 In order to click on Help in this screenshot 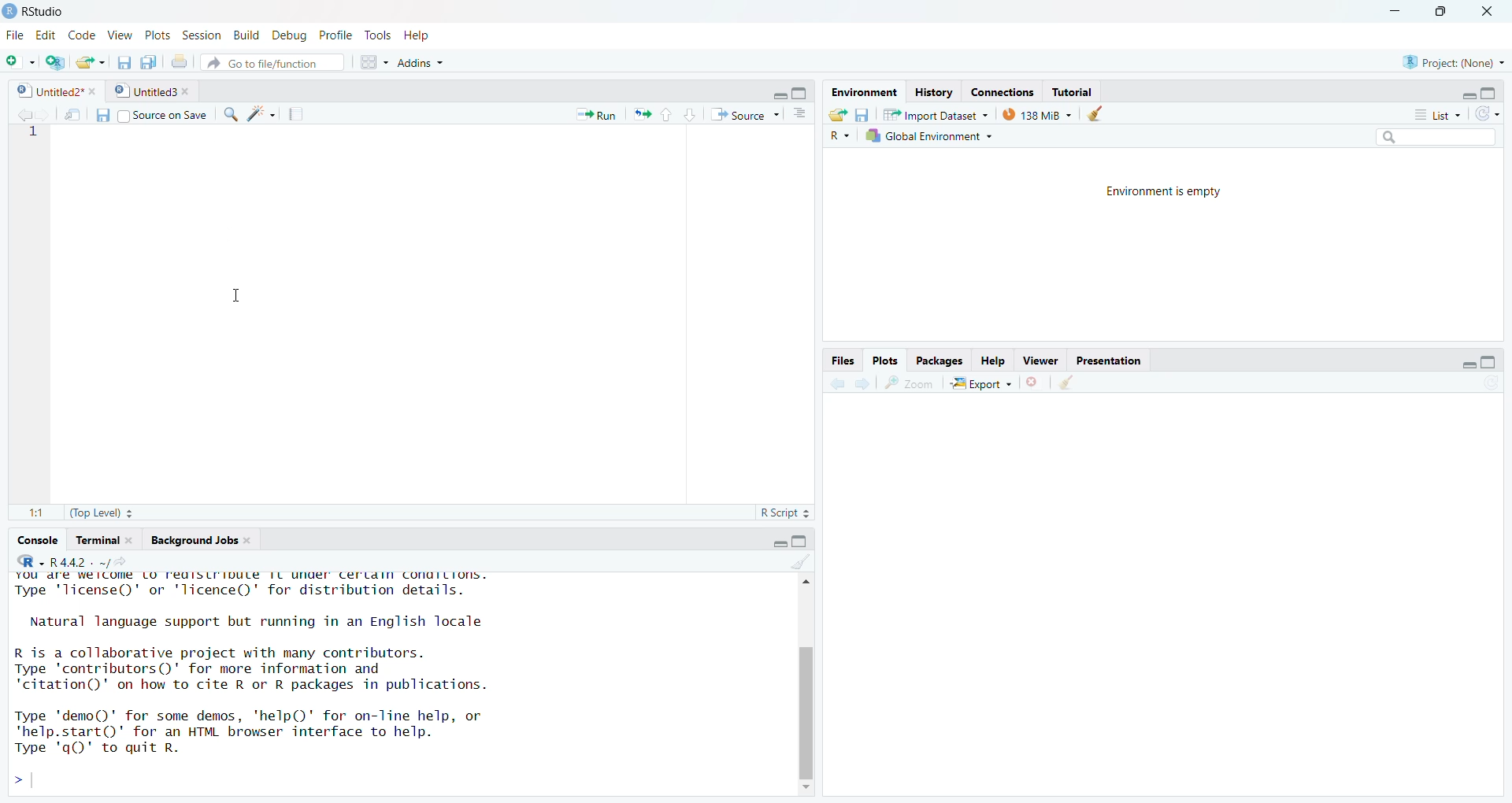, I will do `click(987, 361)`.